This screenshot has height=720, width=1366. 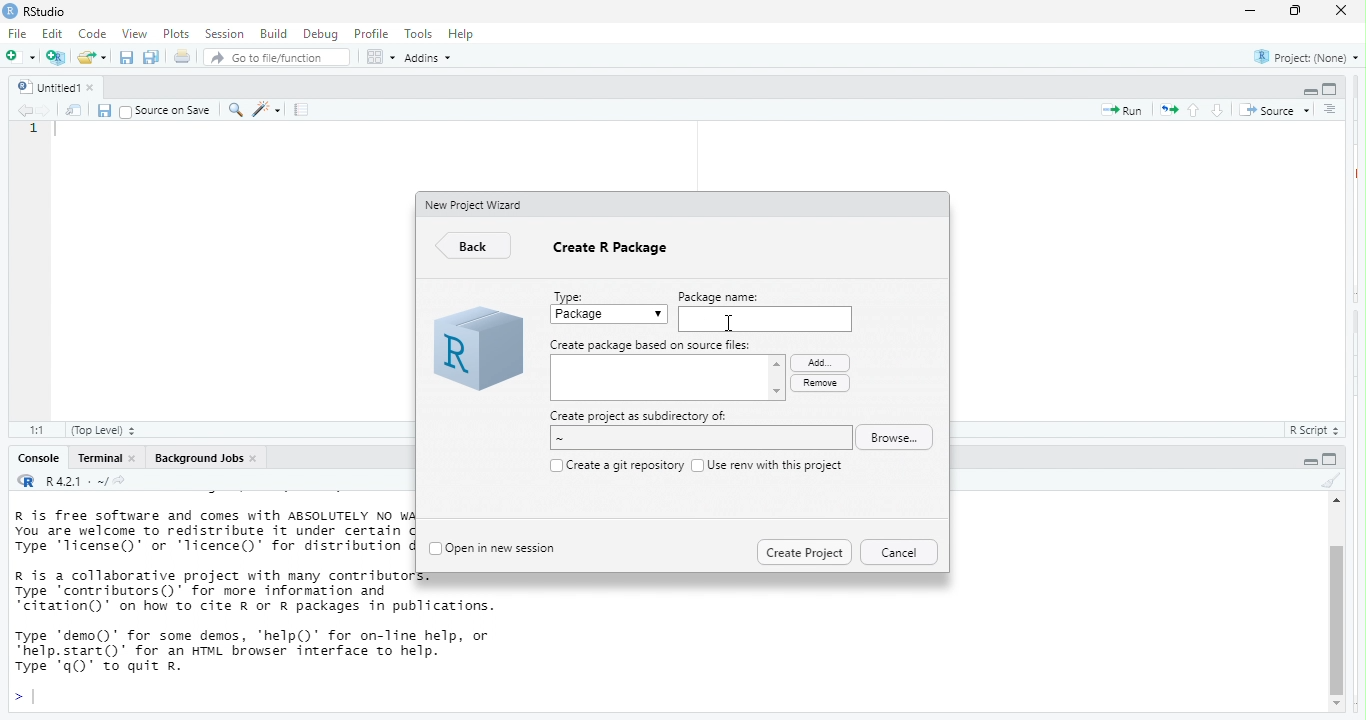 I want to click on  Source on Save, so click(x=166, y=111).